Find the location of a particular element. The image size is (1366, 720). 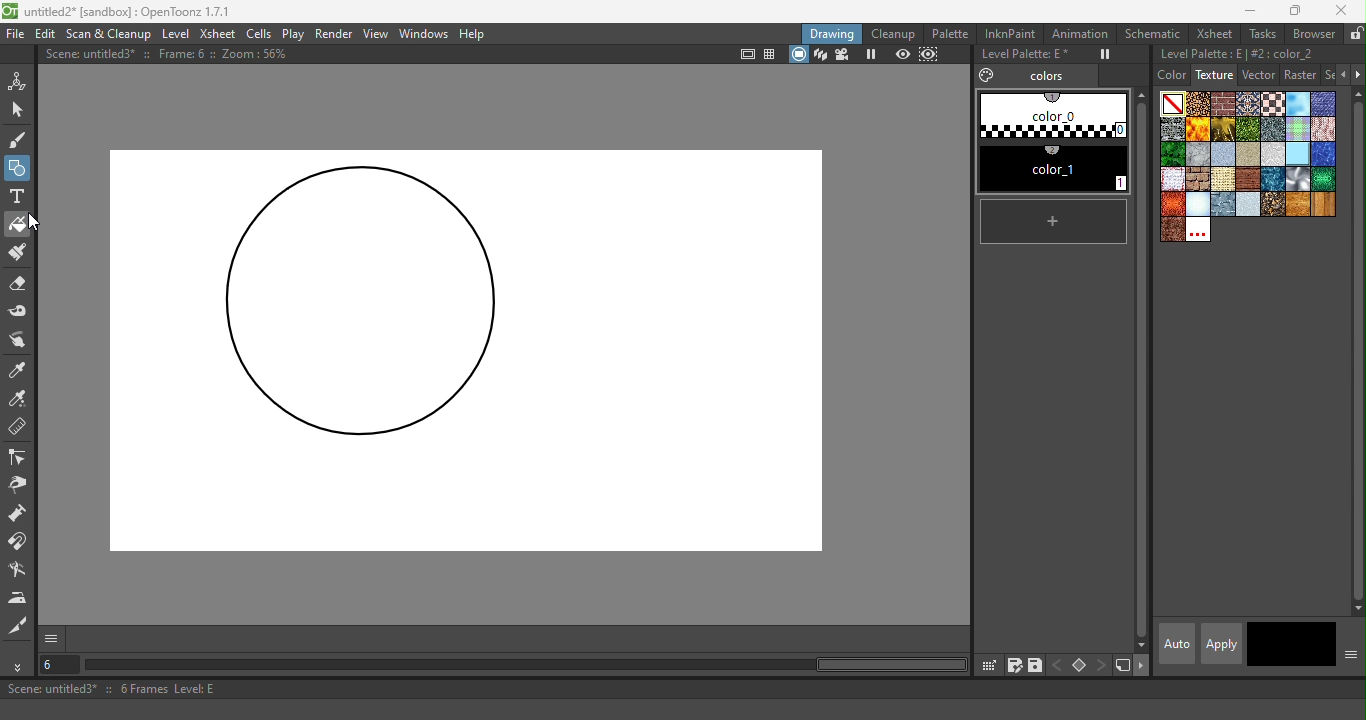

Camera view is located at coordinates (845, 54).